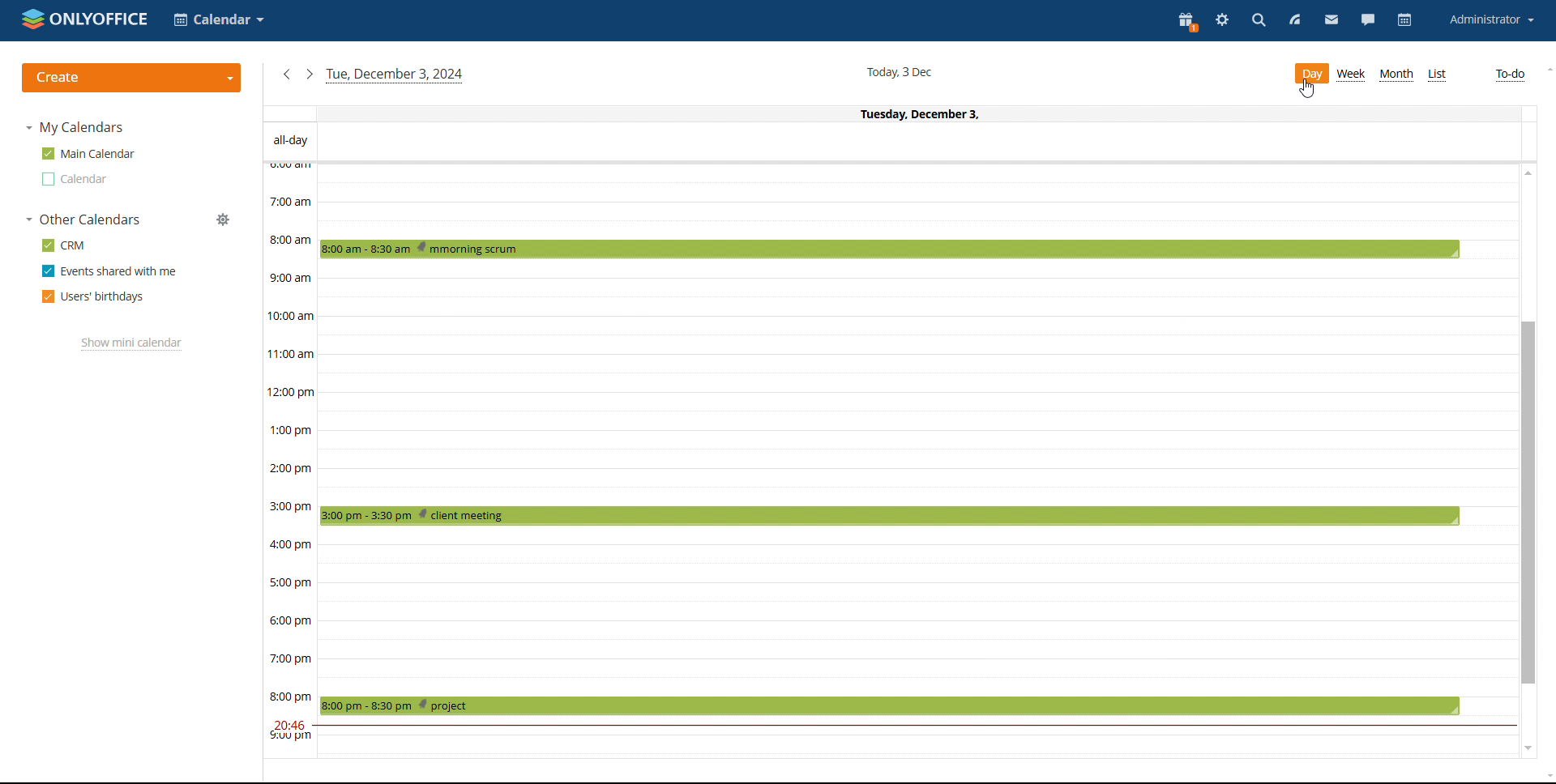  Describe the element at coordinates (108, 271) in the screenshot. I see `events shared with me` at that location.